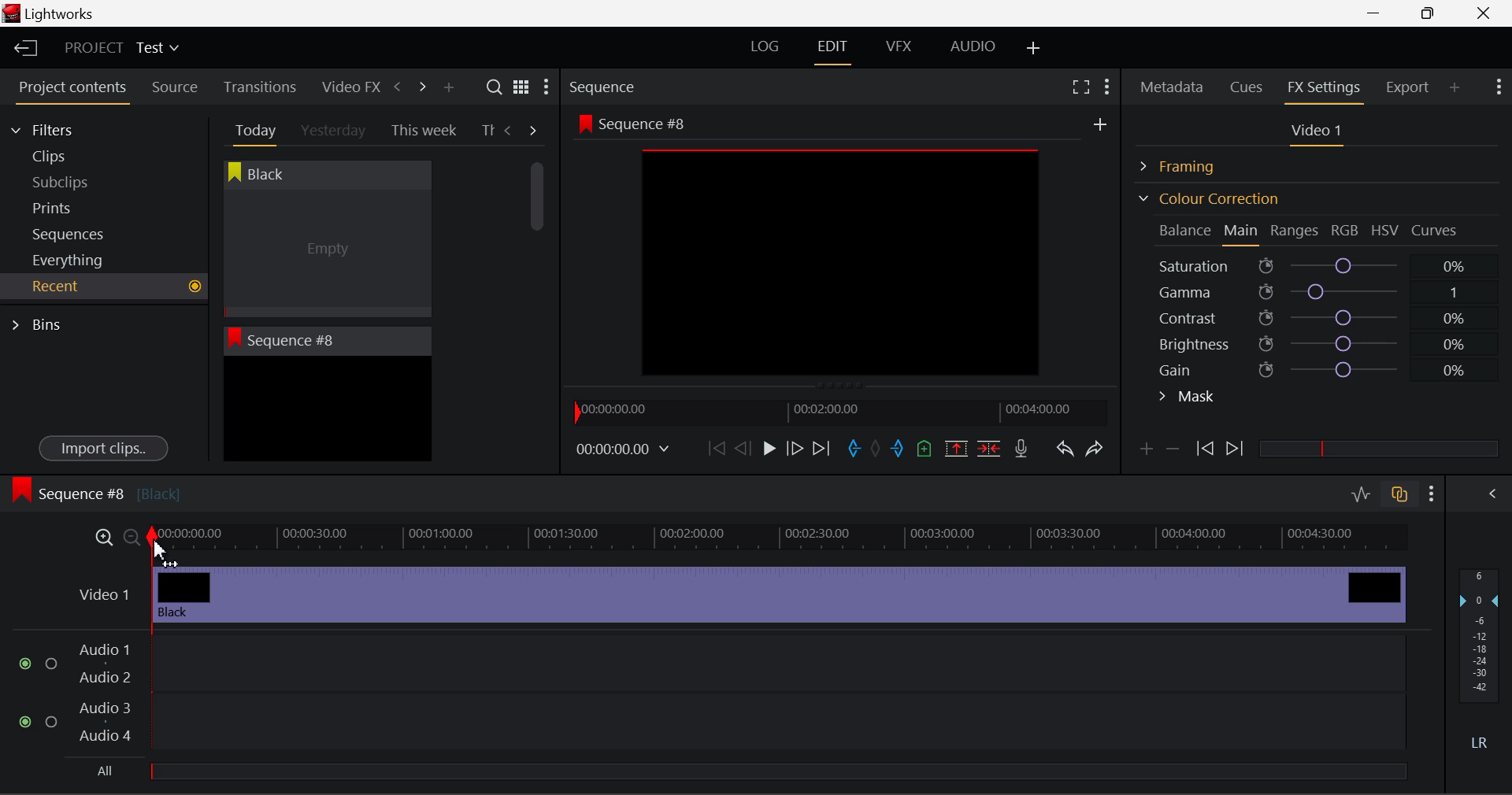 The image size is (1512, 795). Describe the element at coordinates (131, 537) in the screenshot. I see `Timeline Zoom Out` at that location.